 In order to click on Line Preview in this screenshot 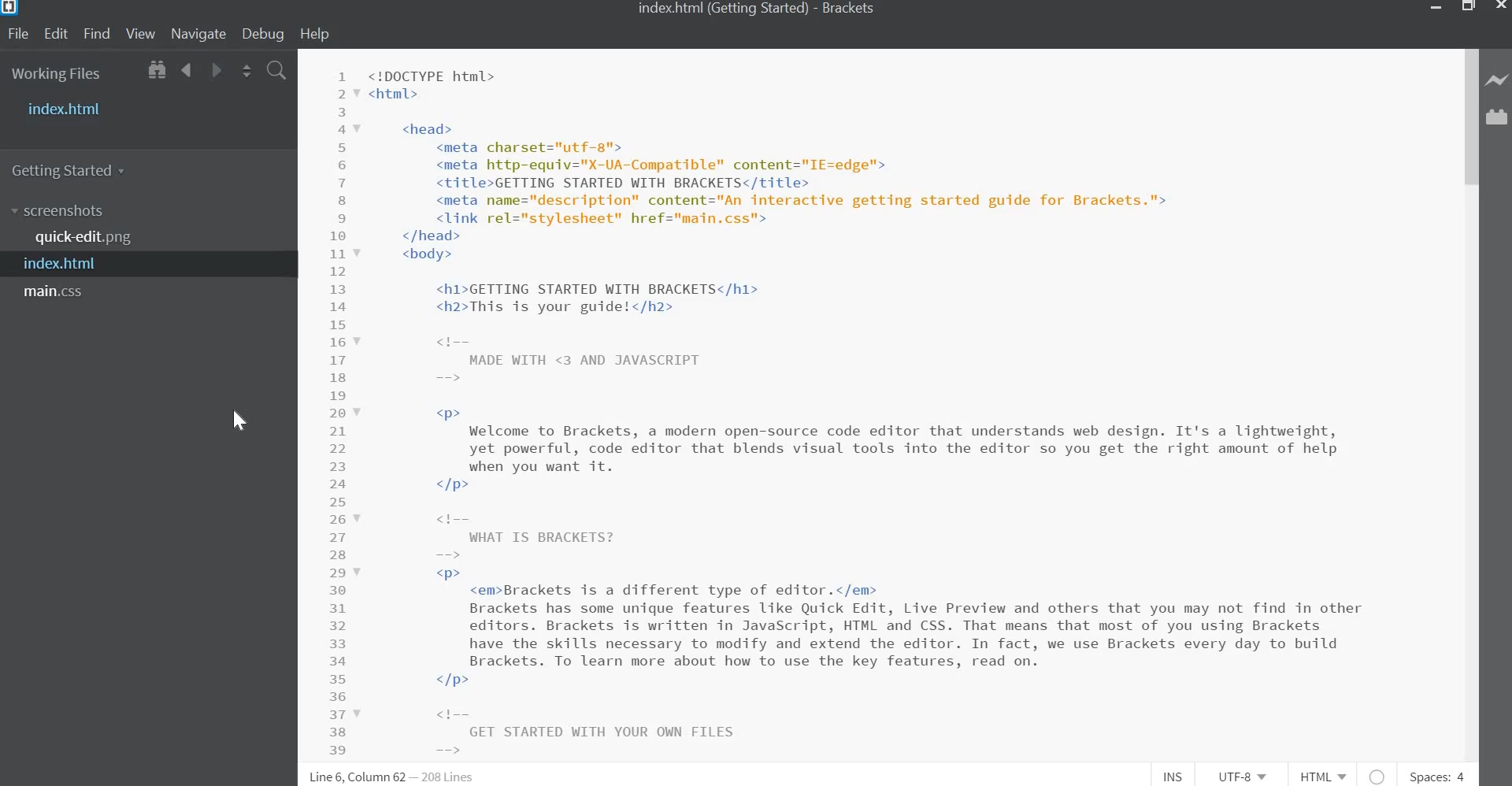, I will do `click(1498, 81)`.